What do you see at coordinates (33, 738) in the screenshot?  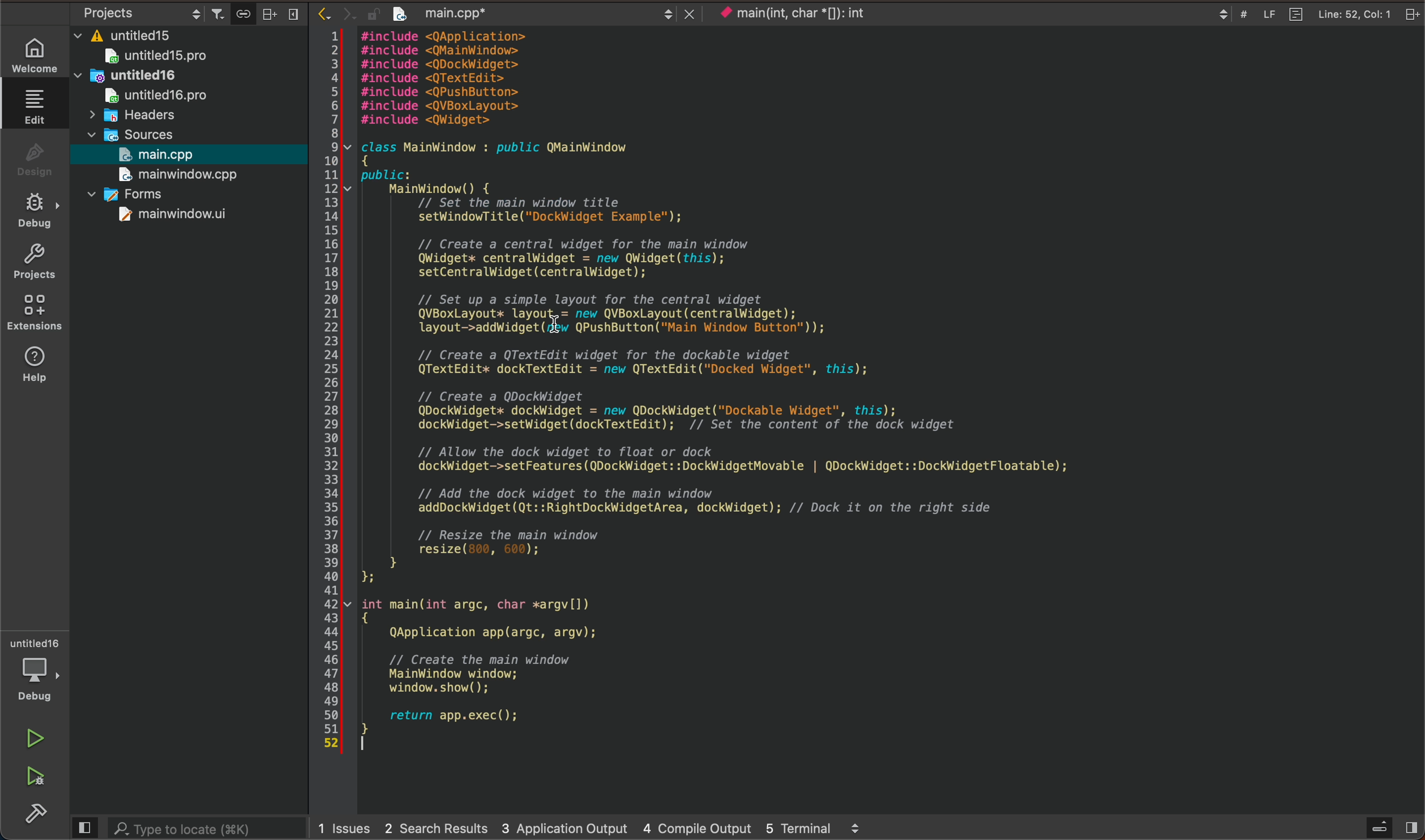 I see `run` at bounding box center [33, 738].